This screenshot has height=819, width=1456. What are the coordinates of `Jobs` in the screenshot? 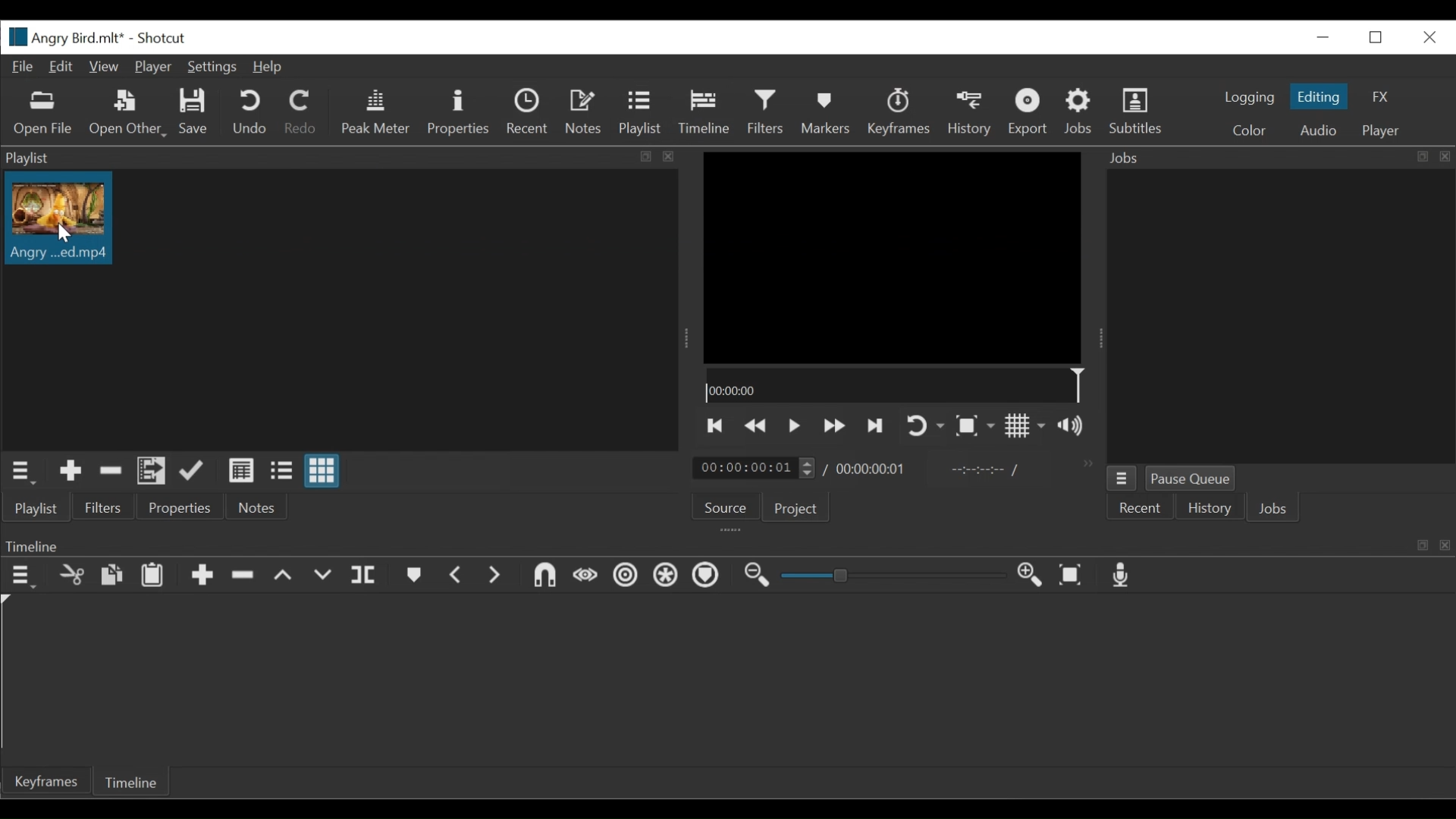 It's located at (1081, 111).